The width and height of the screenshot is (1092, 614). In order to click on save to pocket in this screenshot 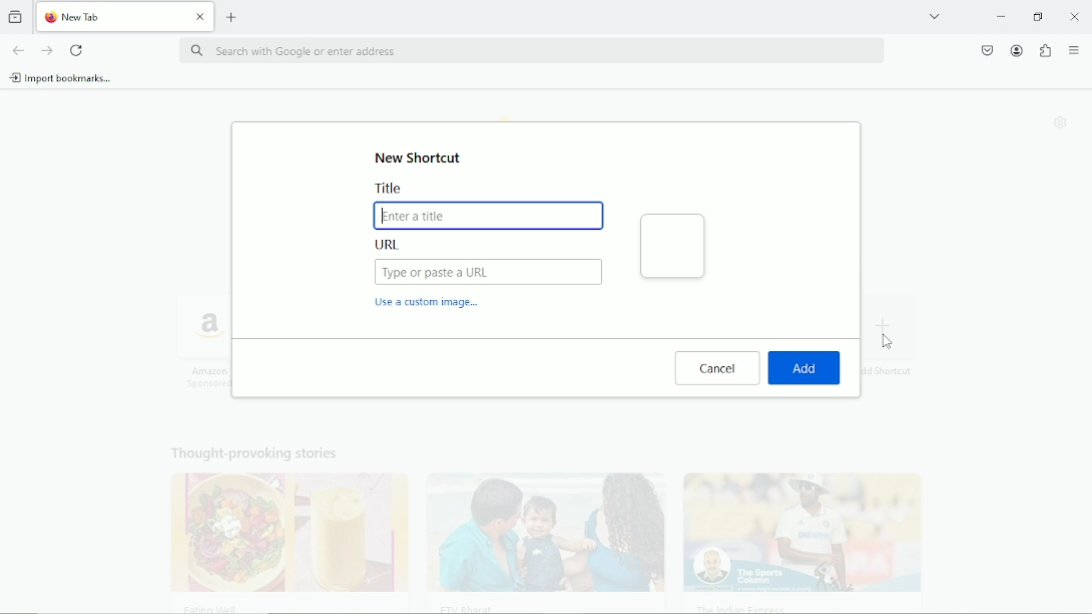, I will do `click(986, 49)`.